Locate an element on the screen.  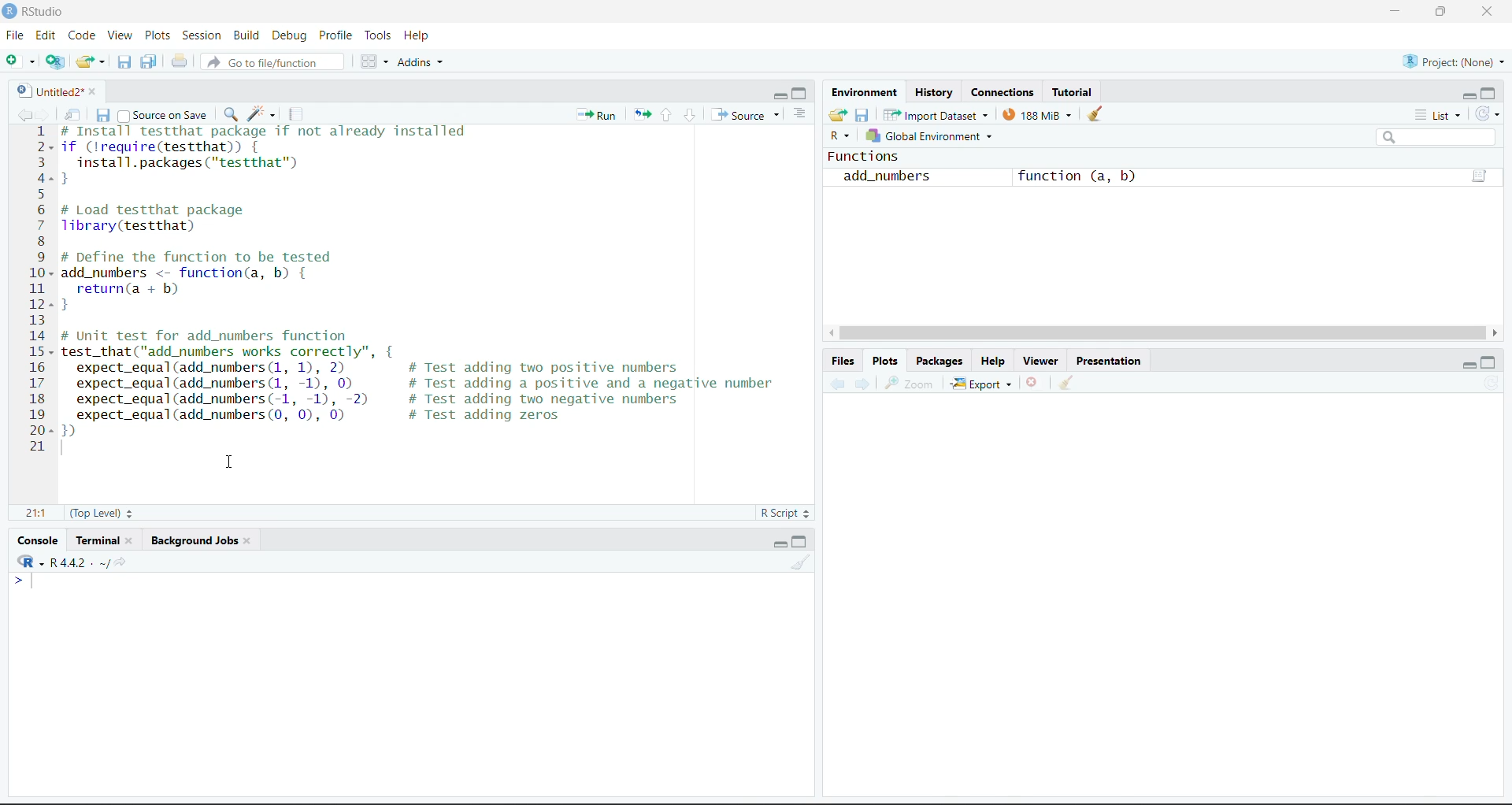
source on save is located at coordinates (166, 116).